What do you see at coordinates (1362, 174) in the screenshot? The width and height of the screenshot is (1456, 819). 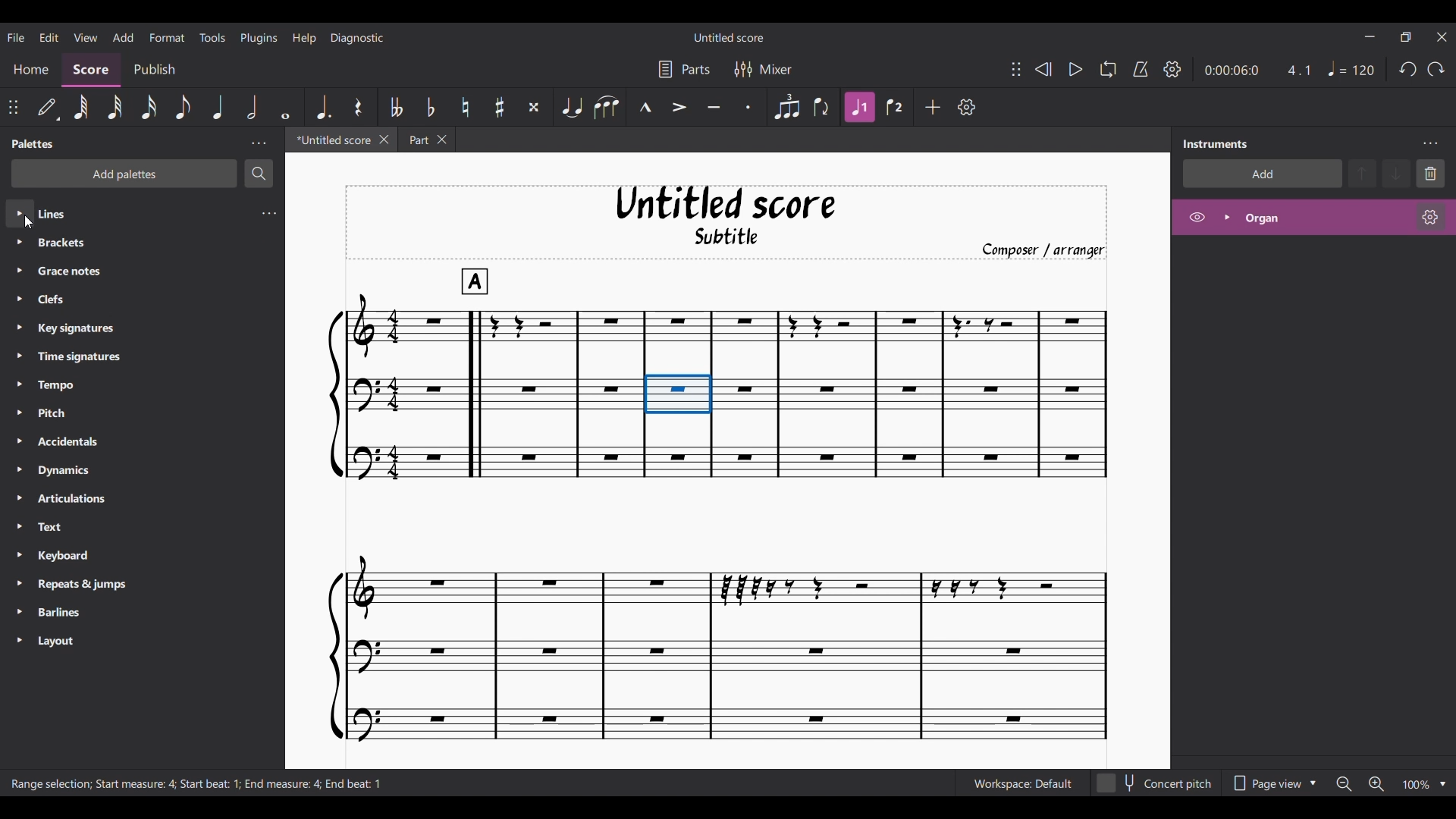 I see `Move up` at bounding box center [1362, 174].